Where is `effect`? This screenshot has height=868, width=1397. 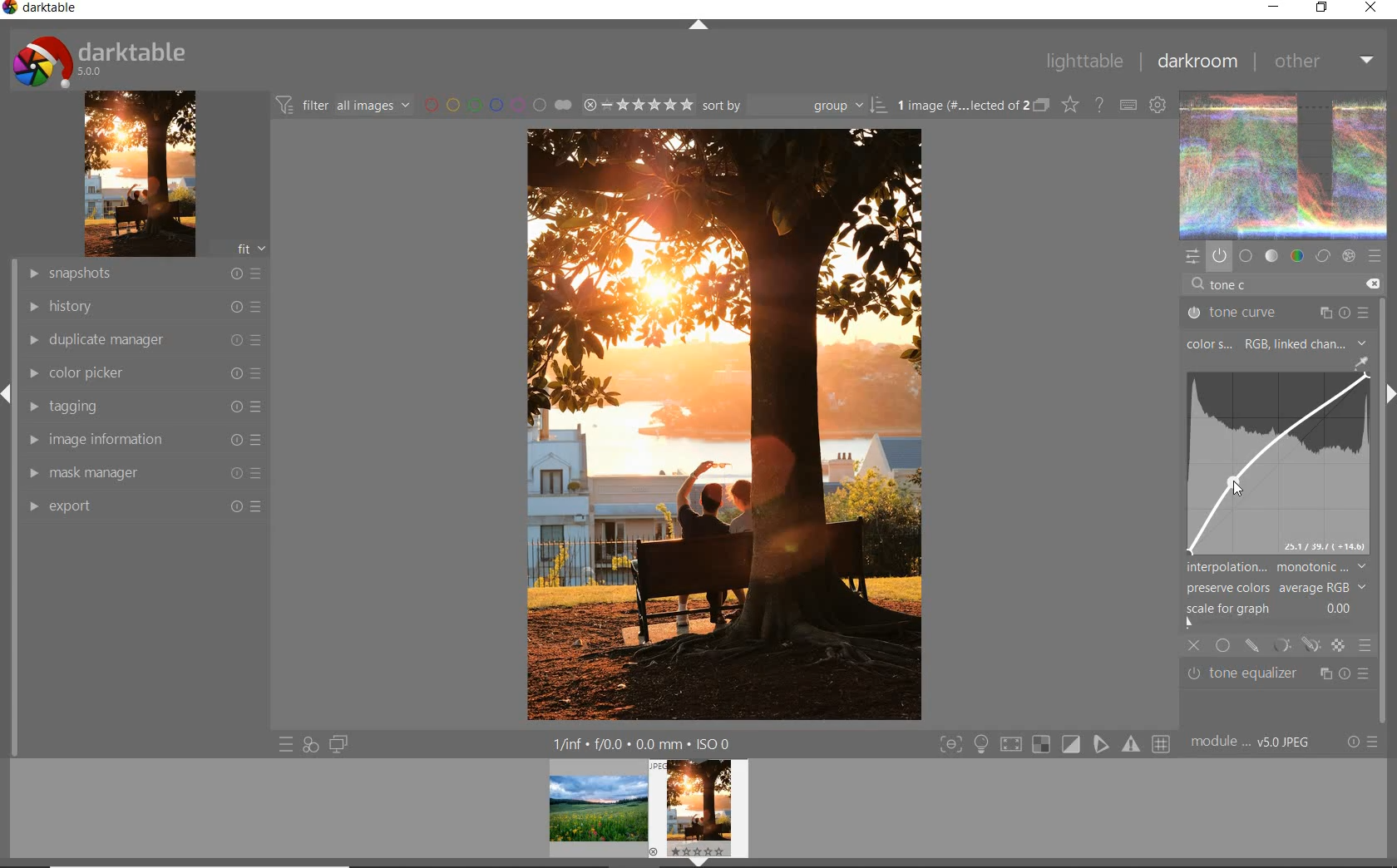 effect is located at coordinates (1348, 256).